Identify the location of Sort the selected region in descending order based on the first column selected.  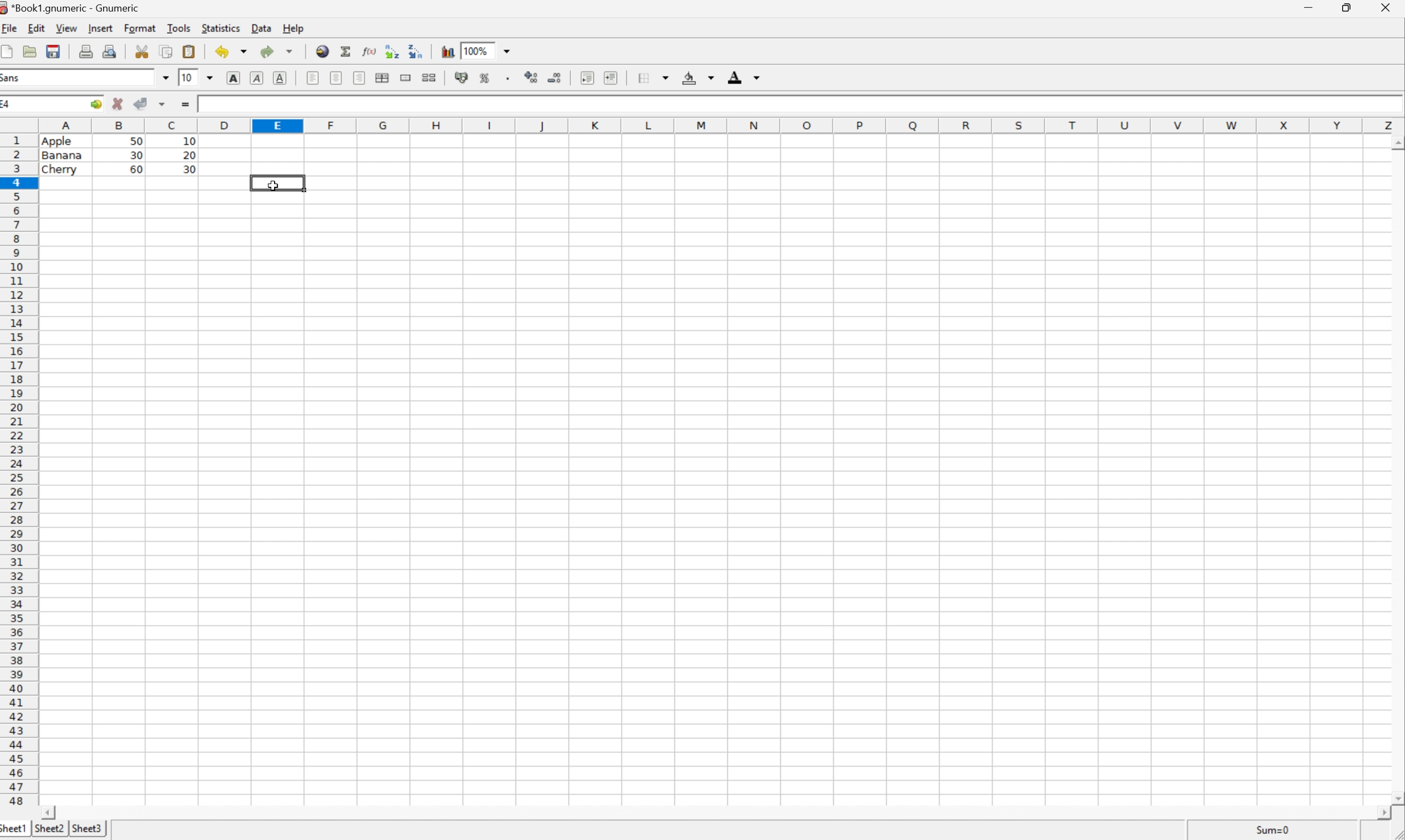
(416, 52).